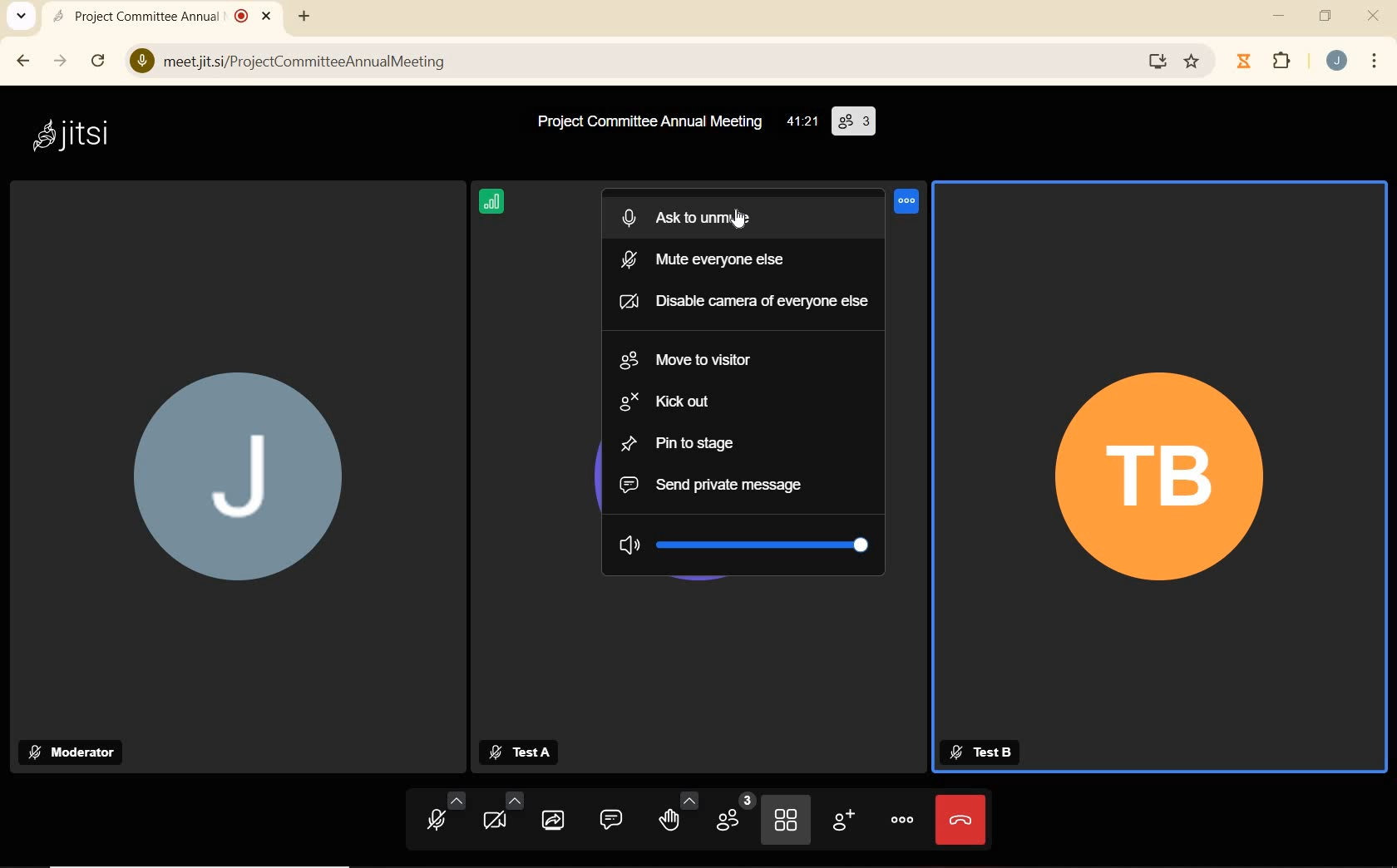 This screenshot has height=868, width=1397. What do you see at coordinates (984, 752) in the screenshot?
I see `Test B` at bounding box center [984, 752].